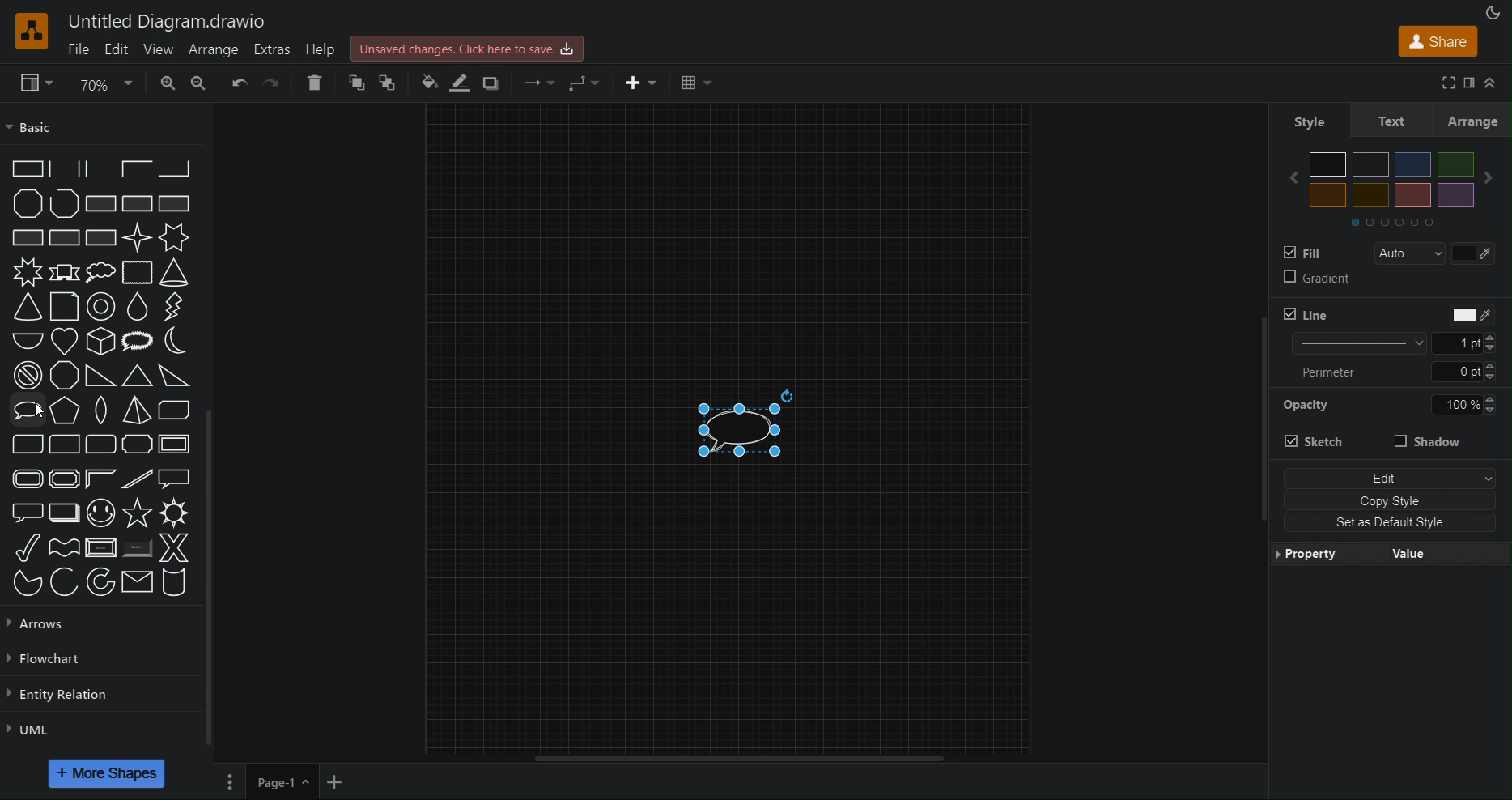 The height and width of the screenshot is (800, 1512). Describe the element at coordinates (32, 83) in the screenshot. I see `View` at that location.